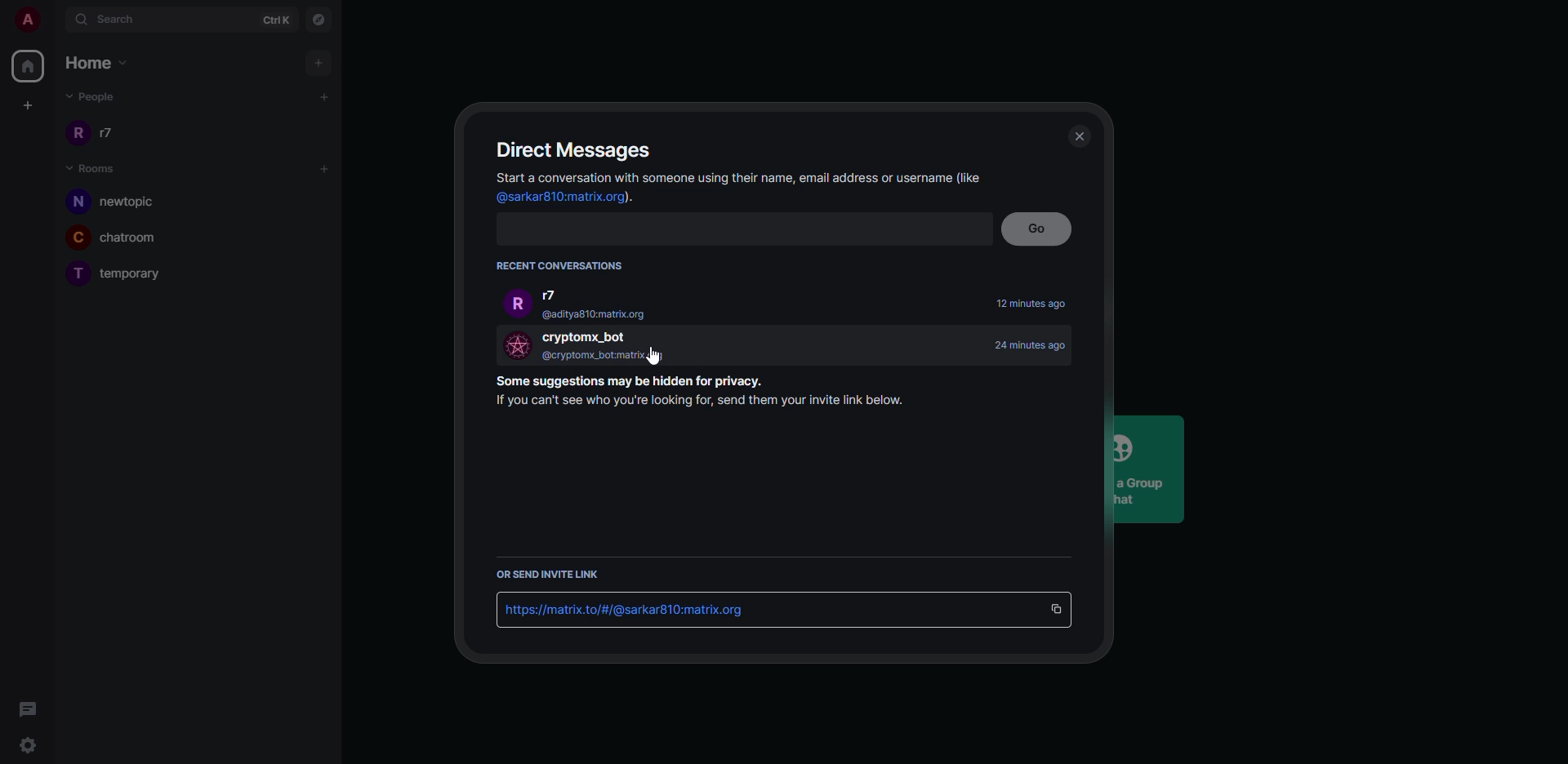  I want to click on id, so click(562, 198).